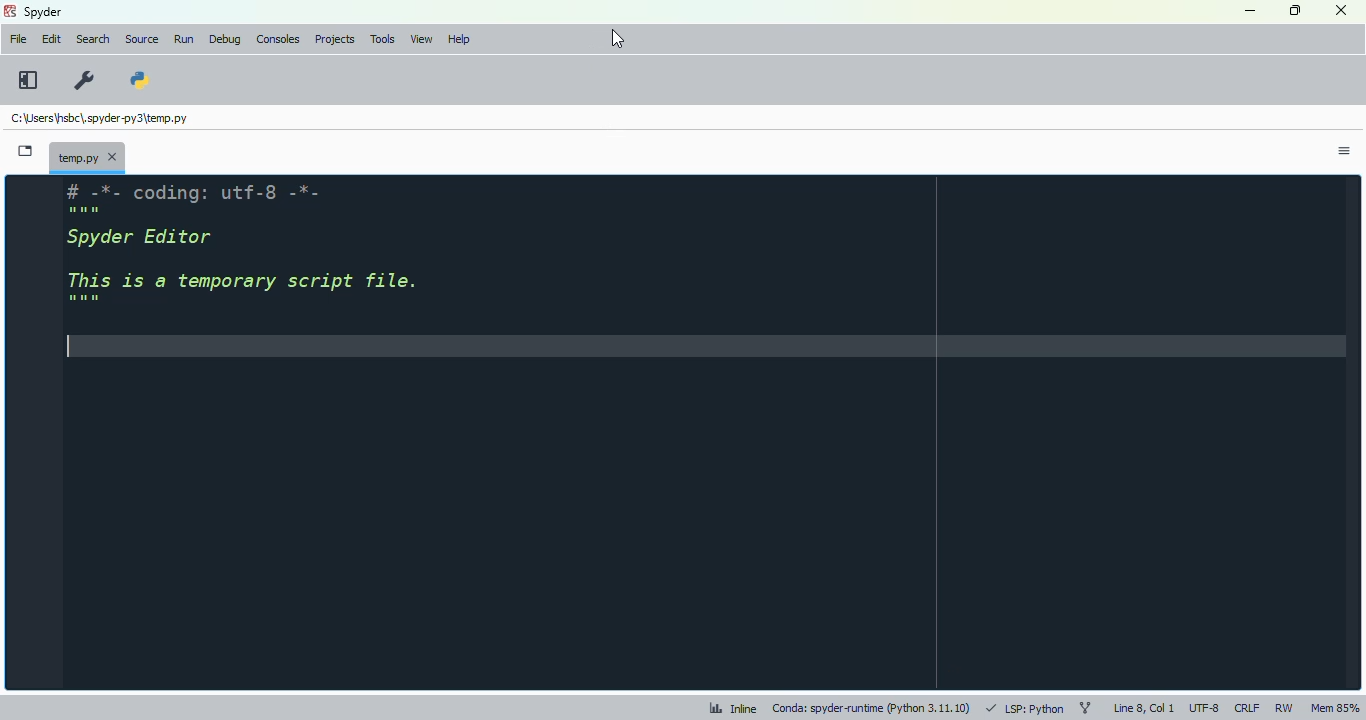 The height and width of the screenshot is (720, 1366). I want to click on debug, so click(226, 38).